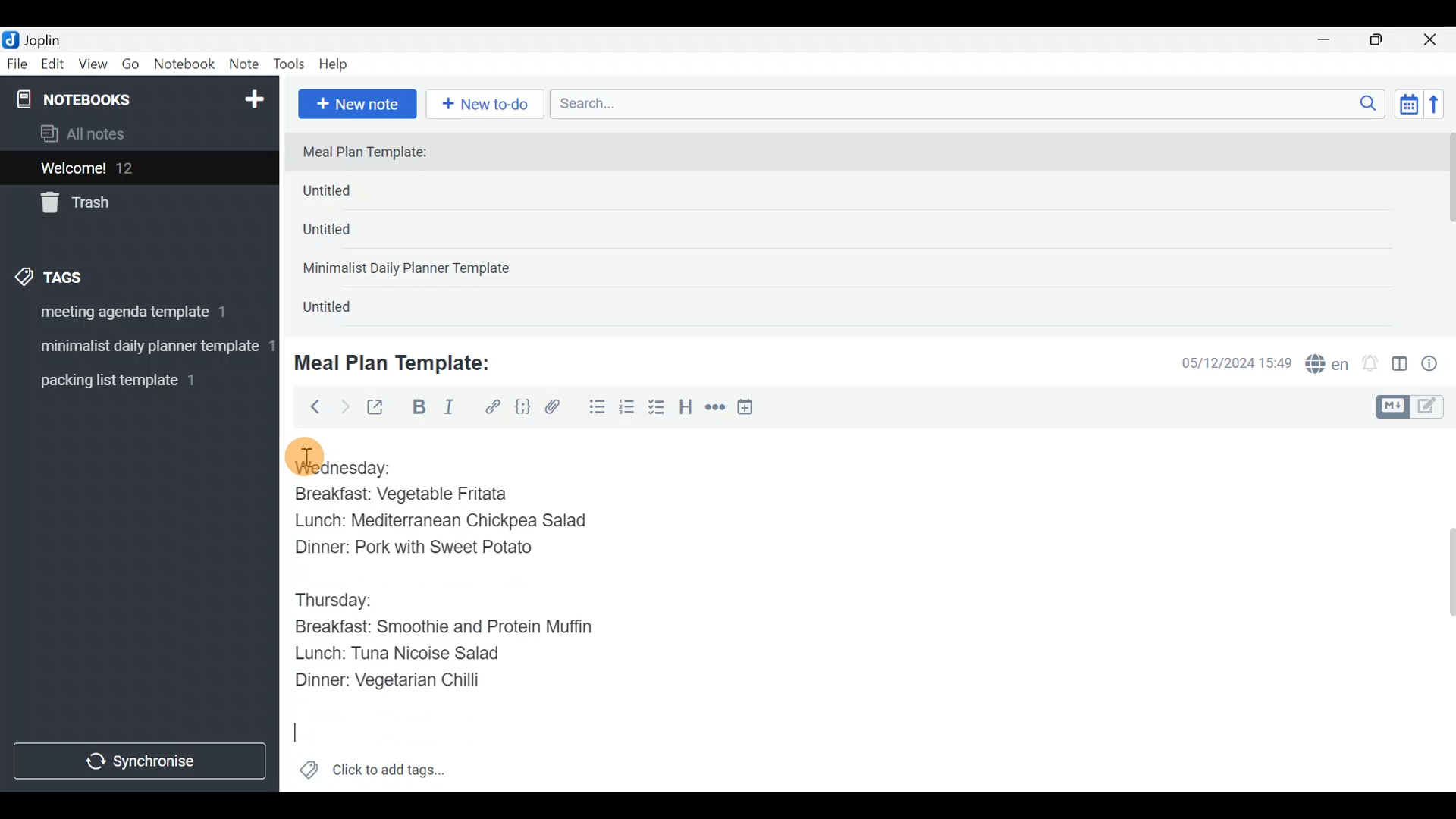  Describe the element at coordinates (399, 681) in the screenshot. I see `Dinner: Vegetarian Chilli` at that location.